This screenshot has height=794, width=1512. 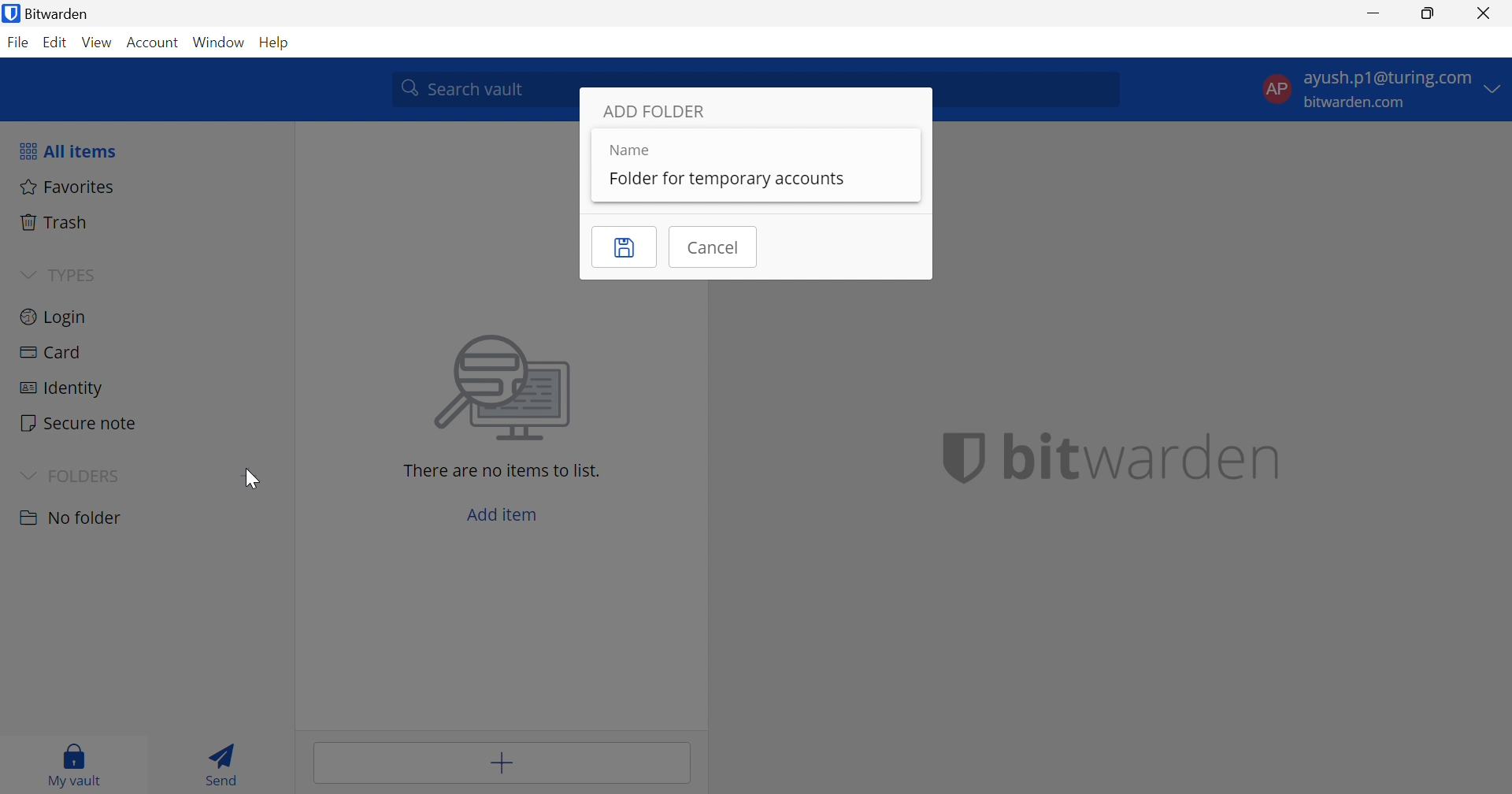 I want to click on View, so click(x=98, y=43).